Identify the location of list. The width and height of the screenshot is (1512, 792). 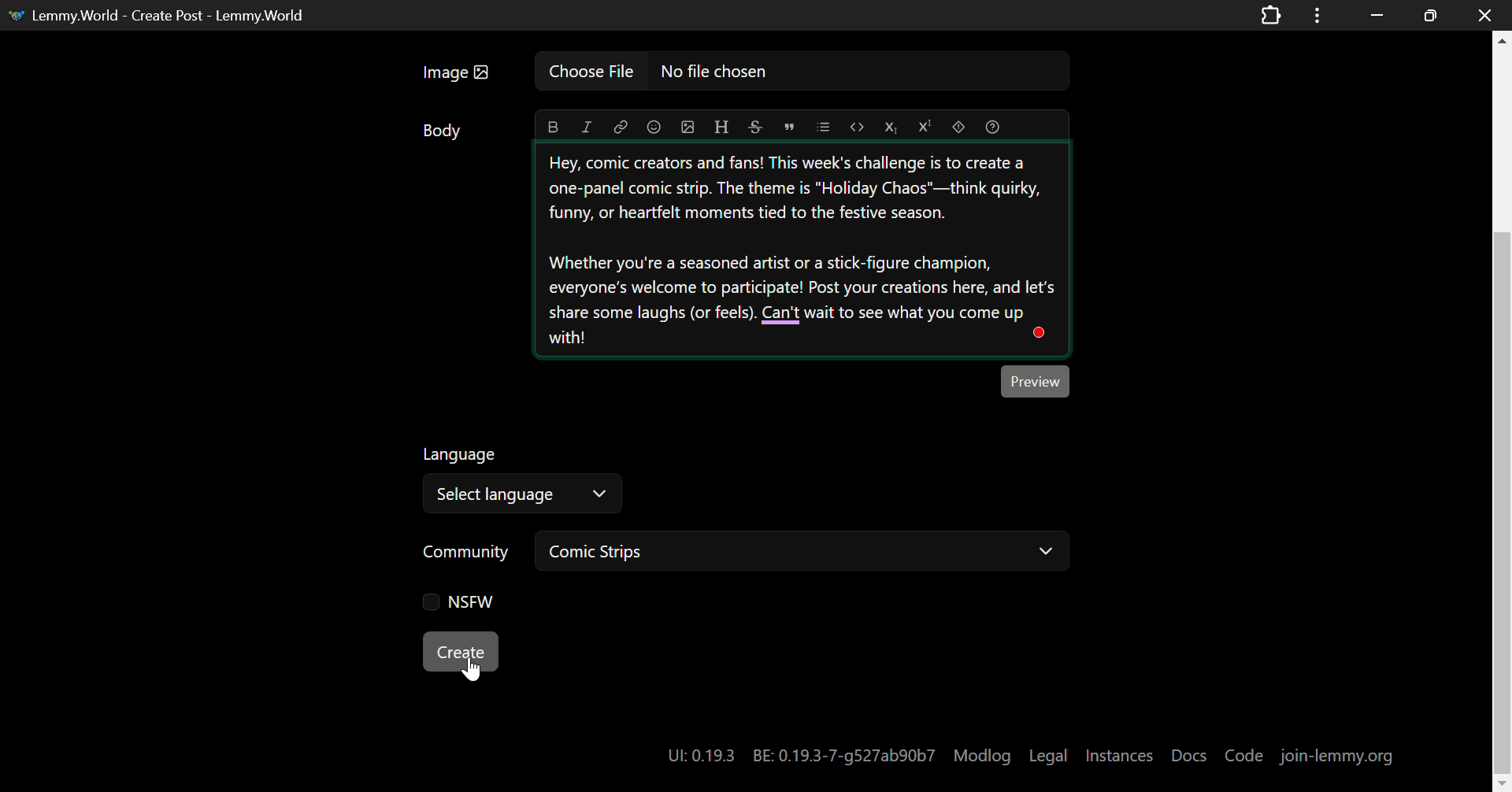
(821, 126).